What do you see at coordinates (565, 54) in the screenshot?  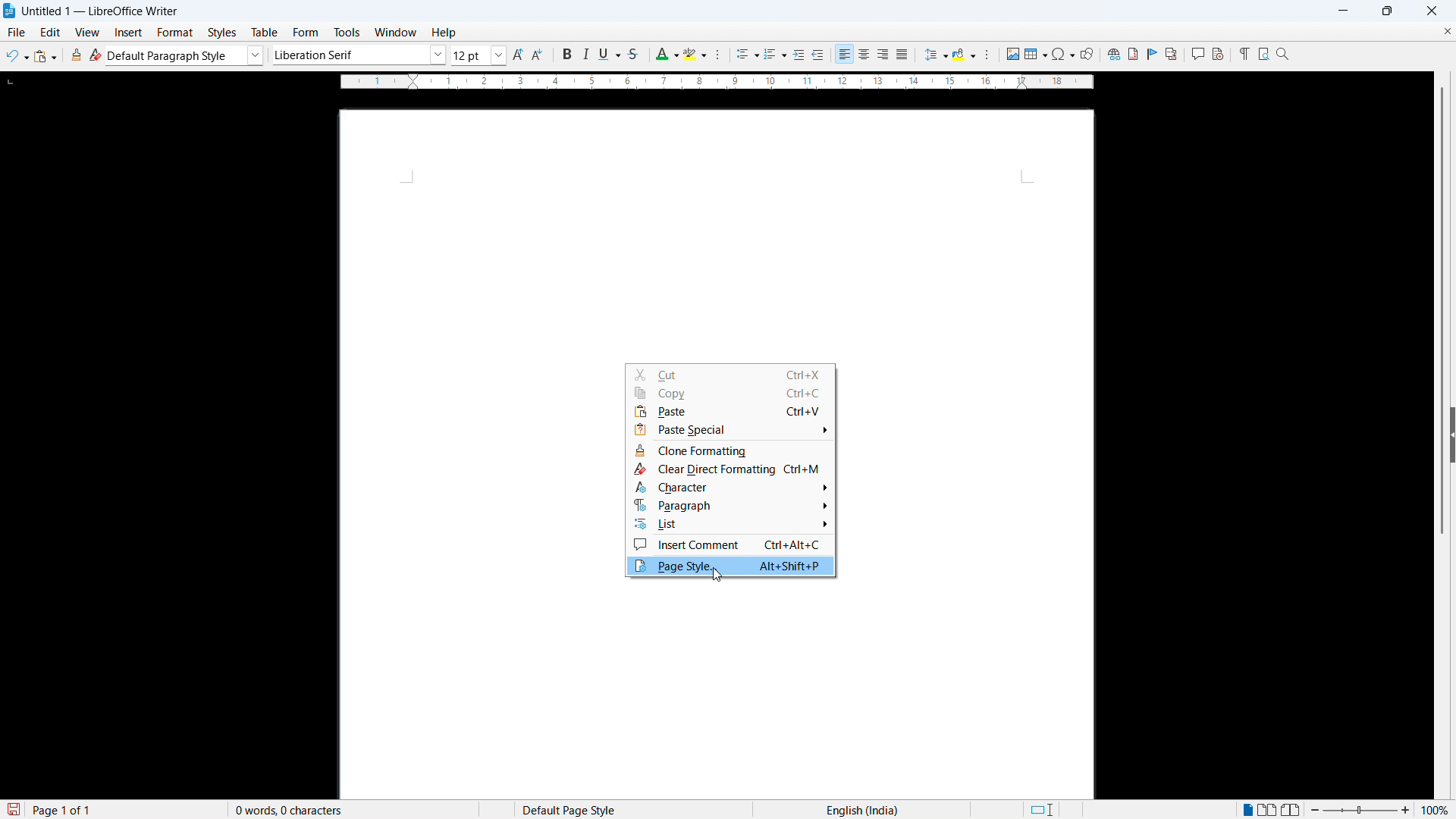 I see `Bold ` at bounding box center [565, 54].